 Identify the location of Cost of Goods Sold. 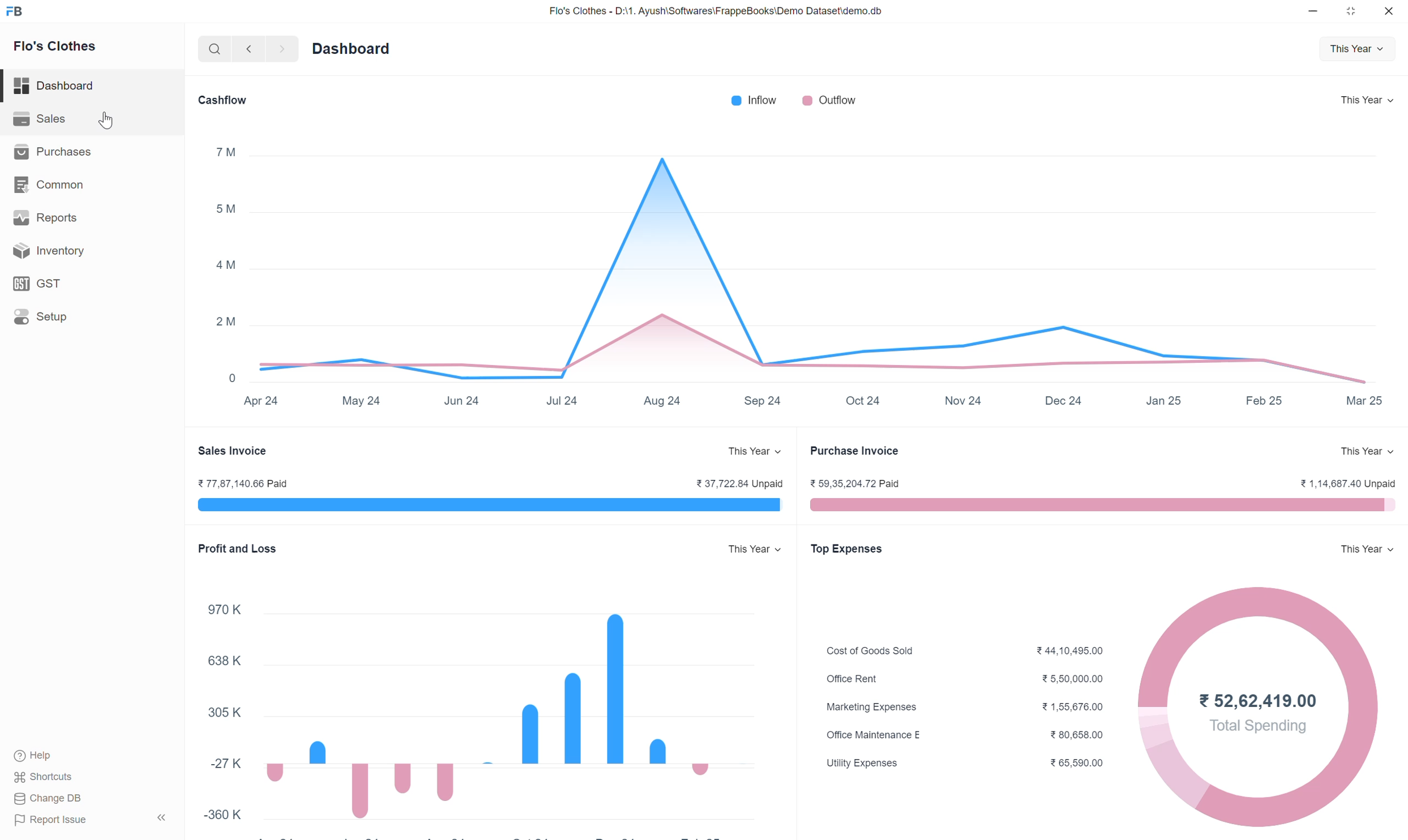
(875, 648).